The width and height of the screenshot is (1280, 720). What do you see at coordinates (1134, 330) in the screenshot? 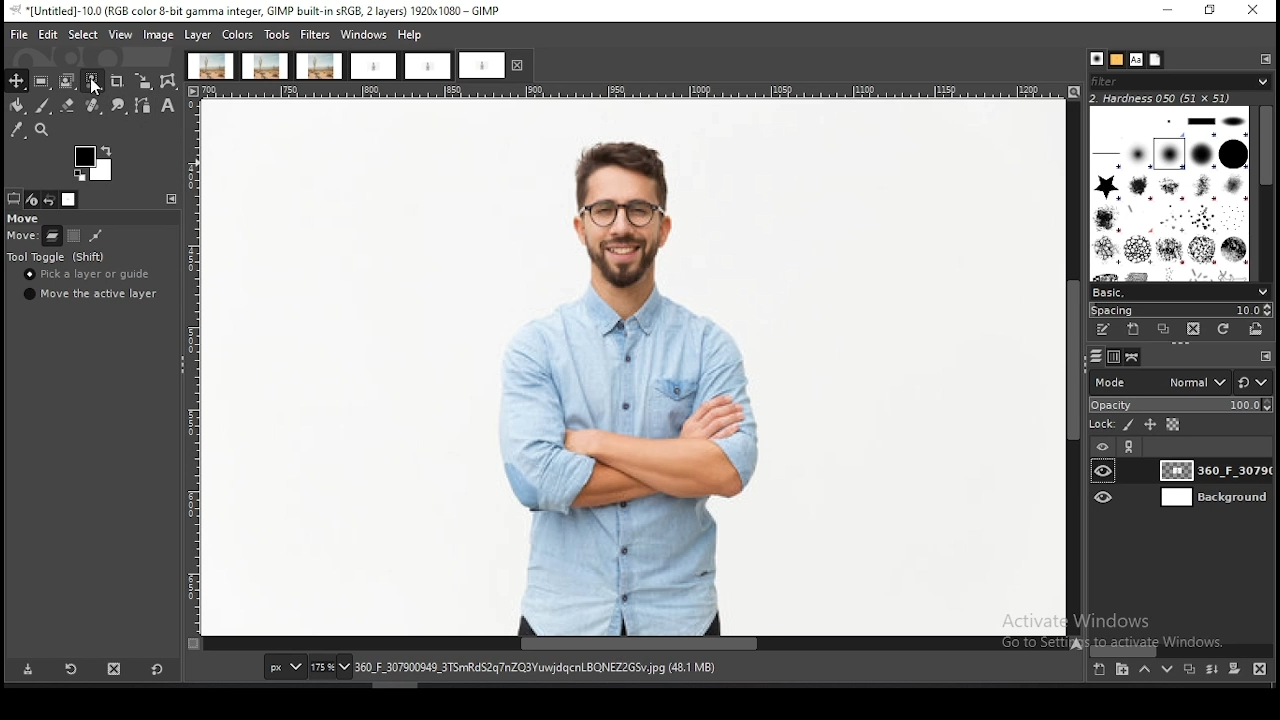
I see `create a new brush` at bounding box center [1134, 330].